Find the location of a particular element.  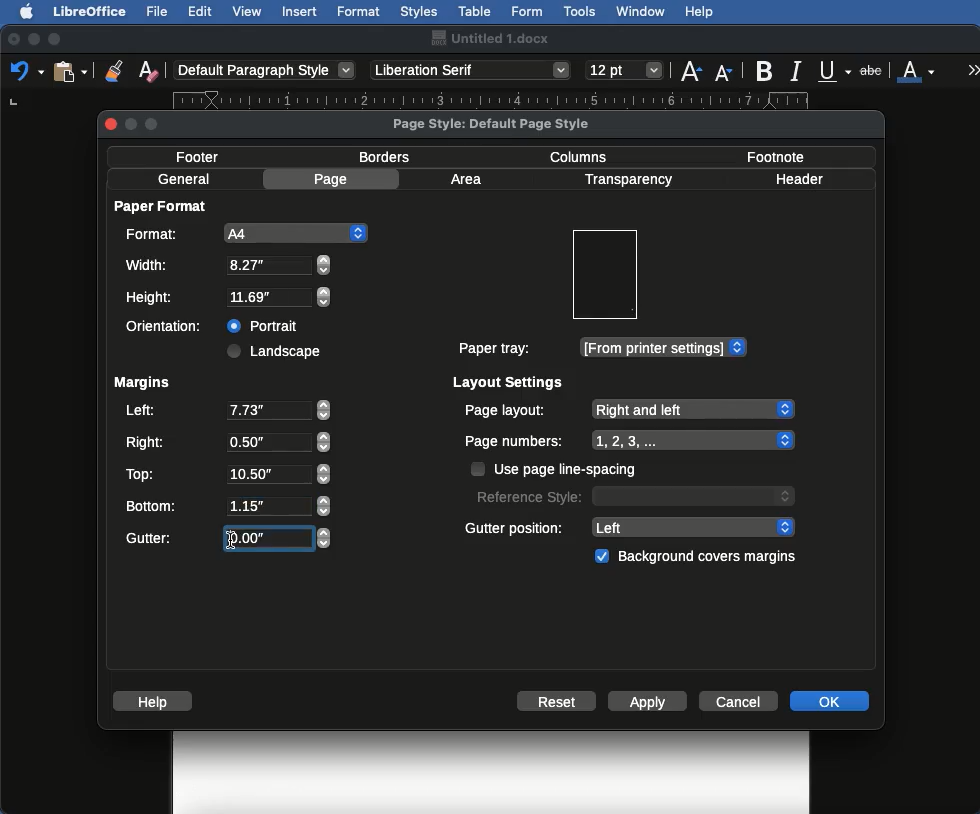

Styles is located at coordinates (418, 11).